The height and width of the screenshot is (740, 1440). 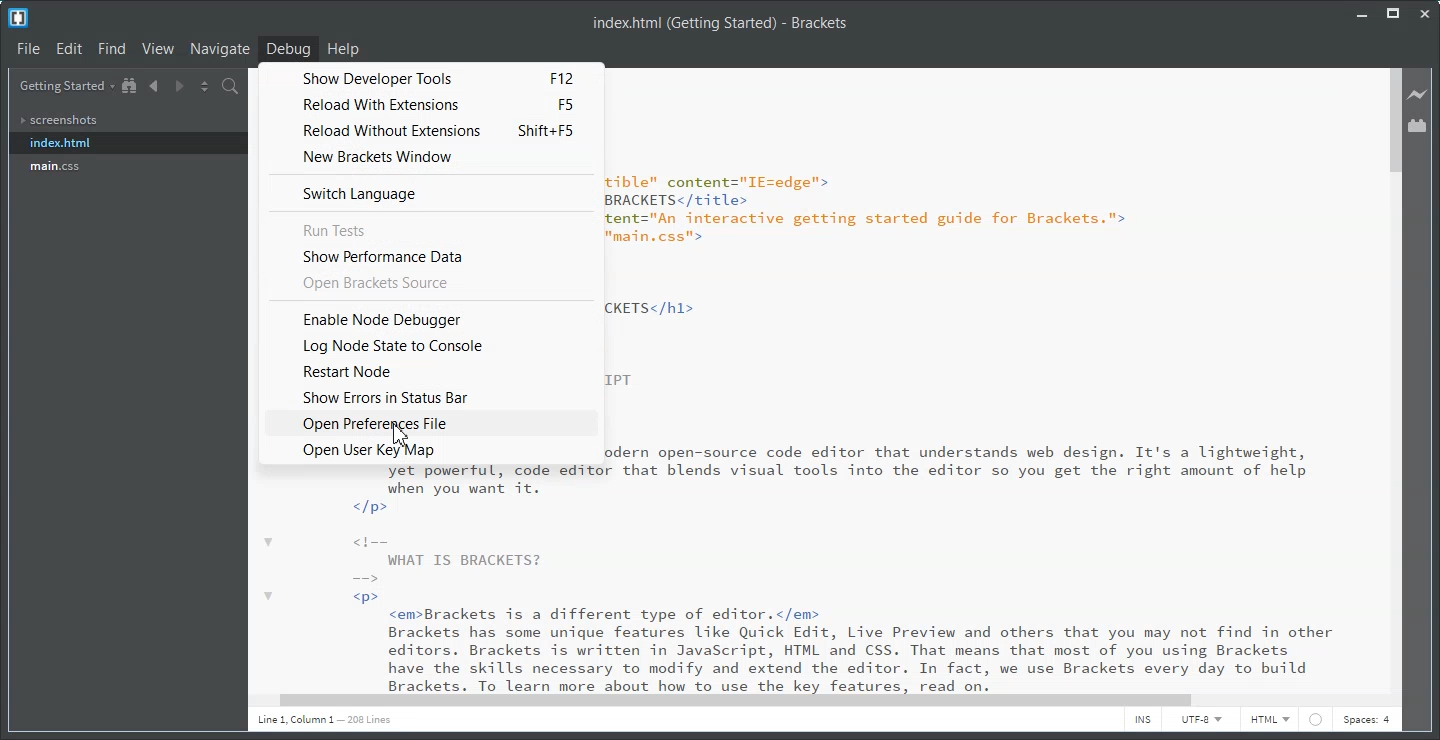 What do you see at coordinates (432, 76) in the screenshot?
I see `Show Developer Tools` at bounding box center [432, 76].